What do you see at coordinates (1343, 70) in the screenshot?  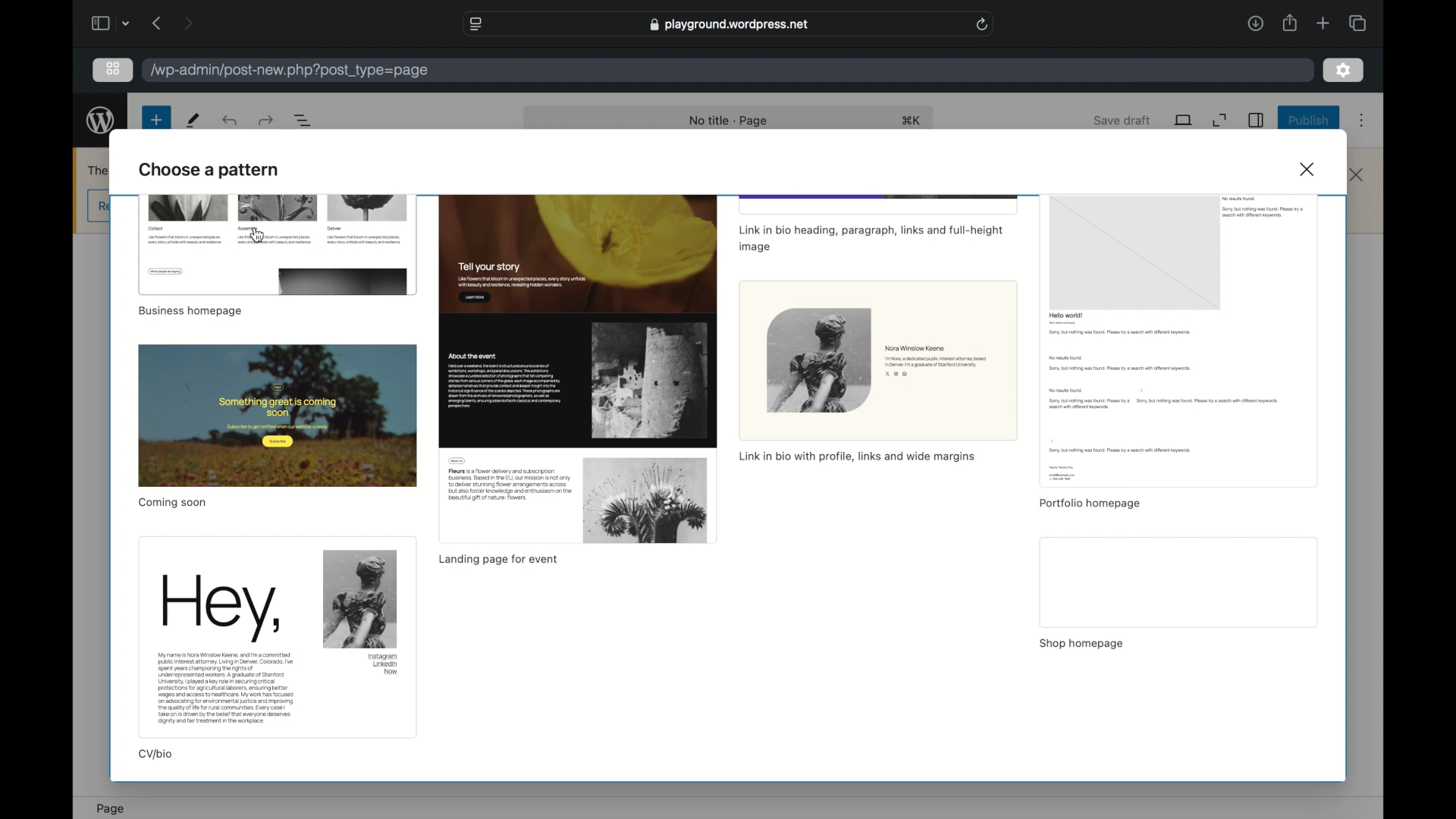 I see `settings` at bounding box center [1343, 70].